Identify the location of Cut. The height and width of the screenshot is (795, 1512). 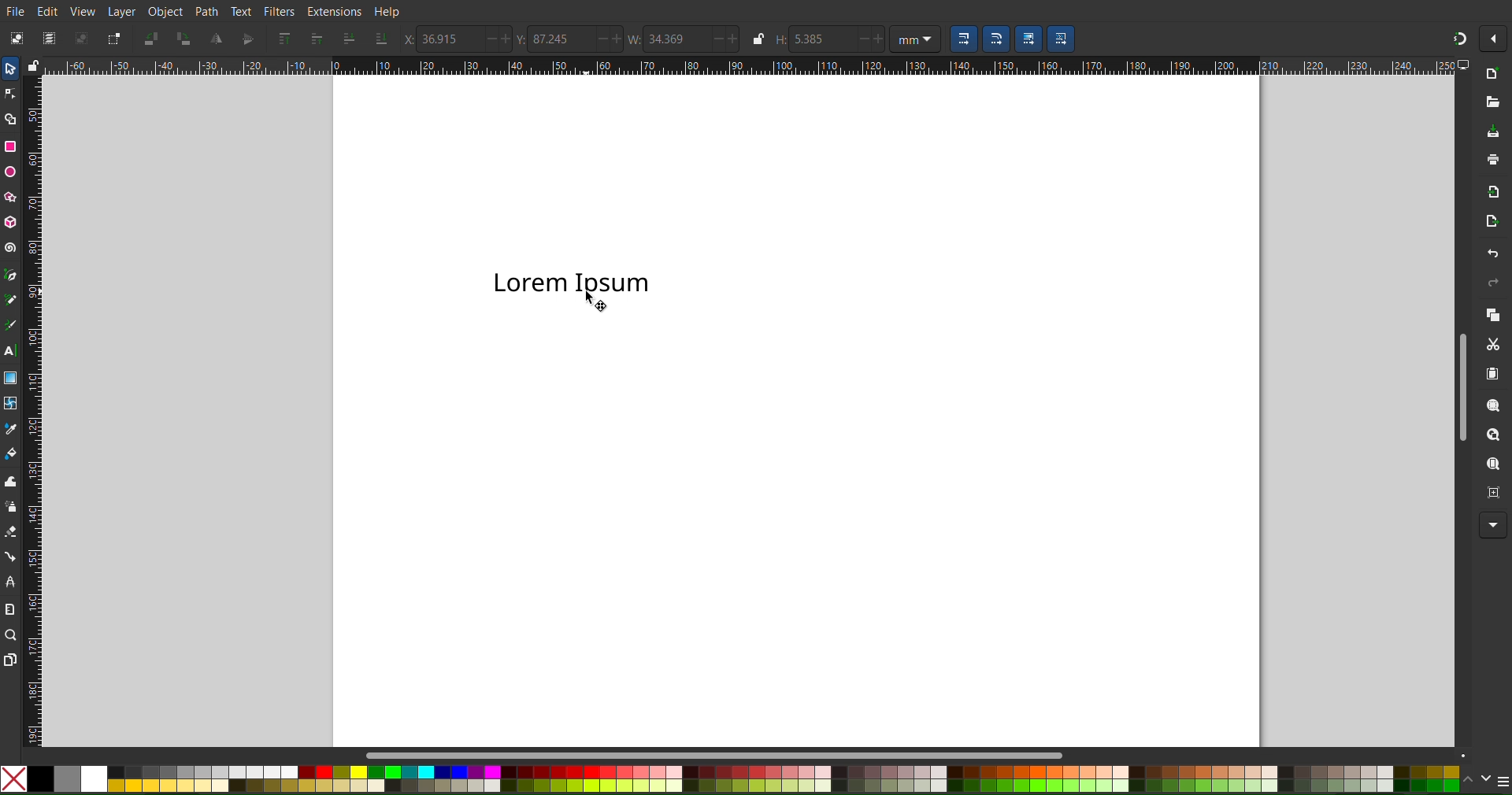
(1494, 346).